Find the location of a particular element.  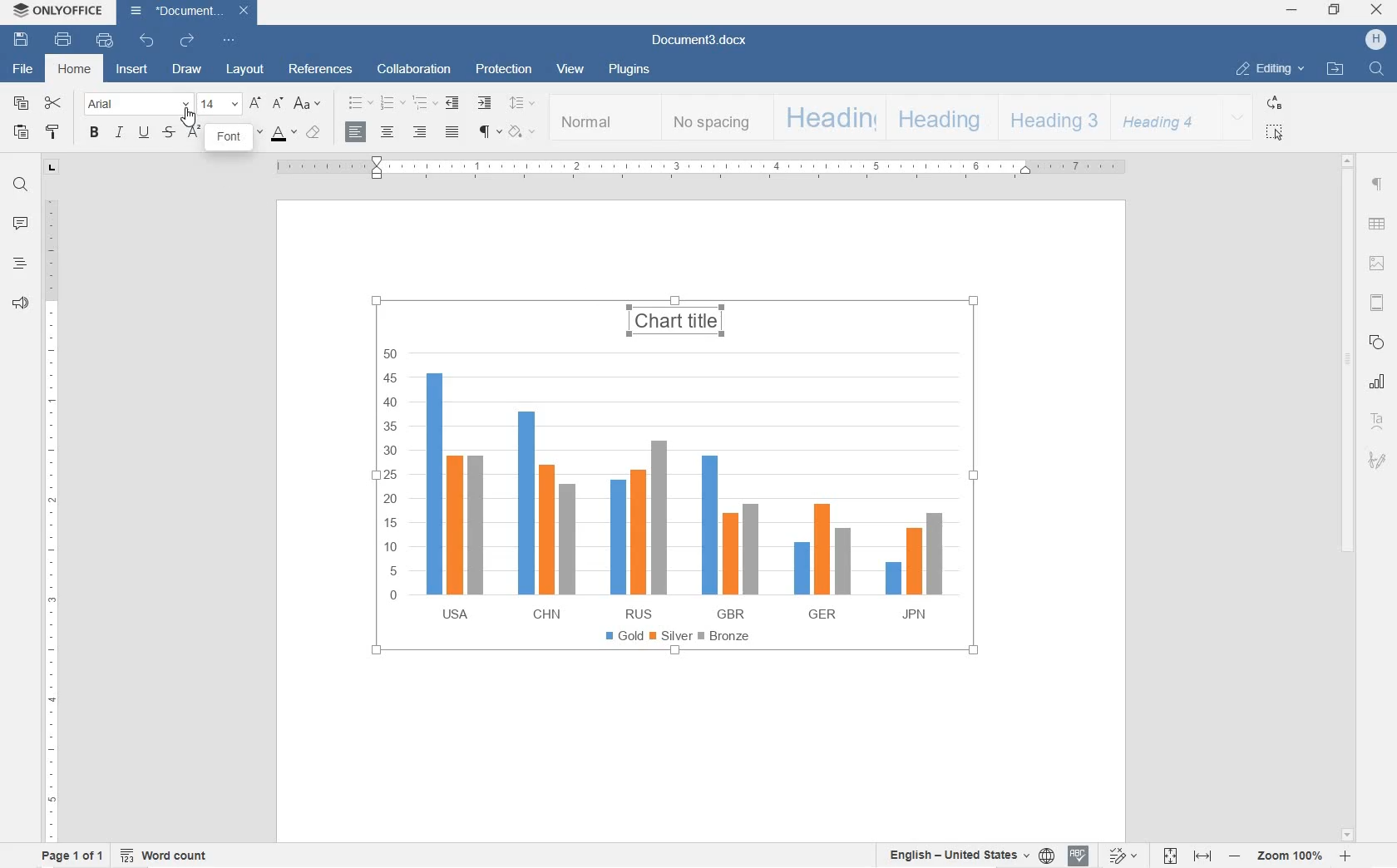

SIGNATURE is located at coordinates (1377, 462).